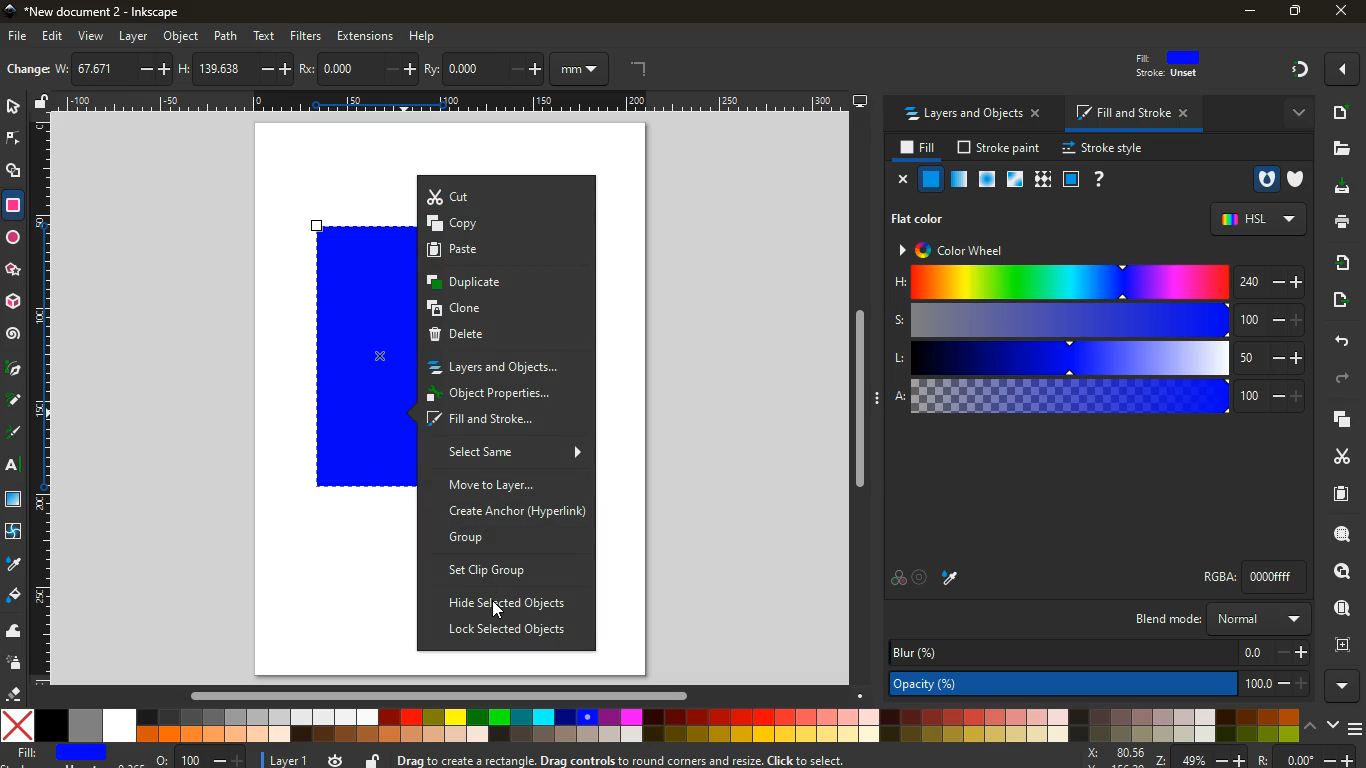 This screenshot has height=768, width=1366. What do you see at coordinates (1103, 149) in the screenshot?
I see `stroke style` at bounding box center [1103, 149].